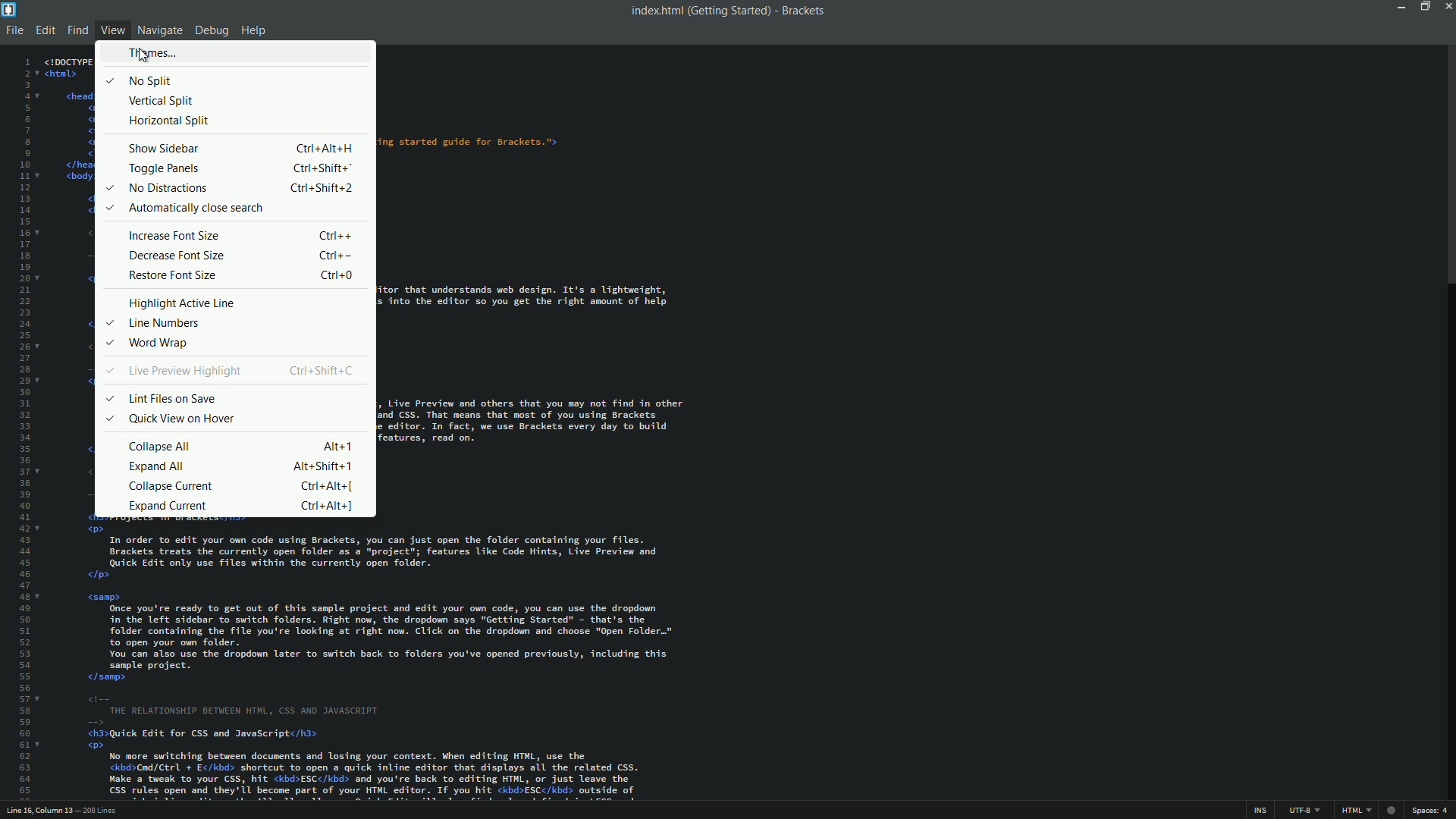 This screenshot has width=1456, height=819. Describe the element at coordinates (168, 324) in the screenshot. I see `line numbers` at that location.